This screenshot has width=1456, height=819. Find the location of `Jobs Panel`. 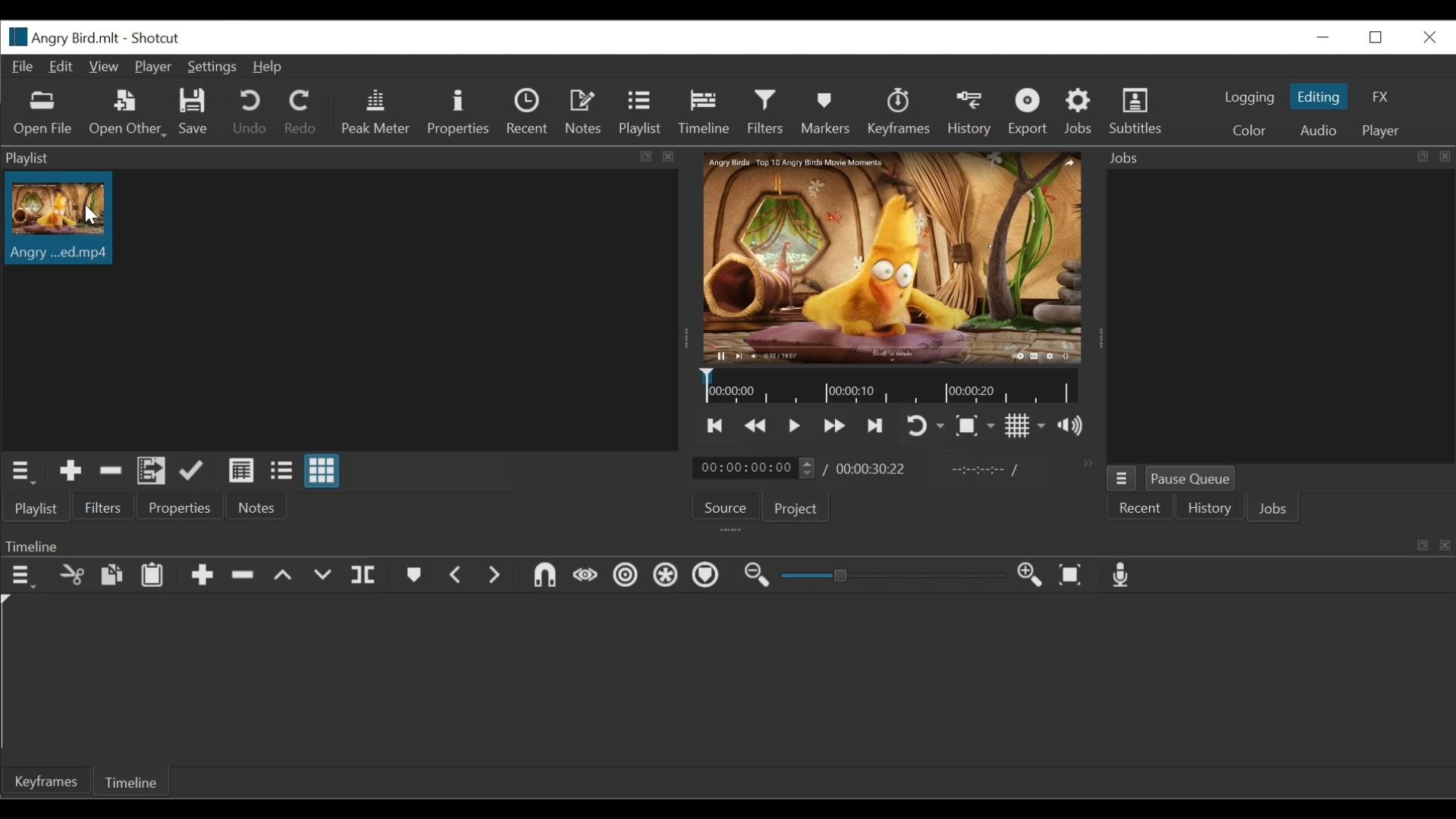

Jobs Panel is located at coordinates (1279, 316).